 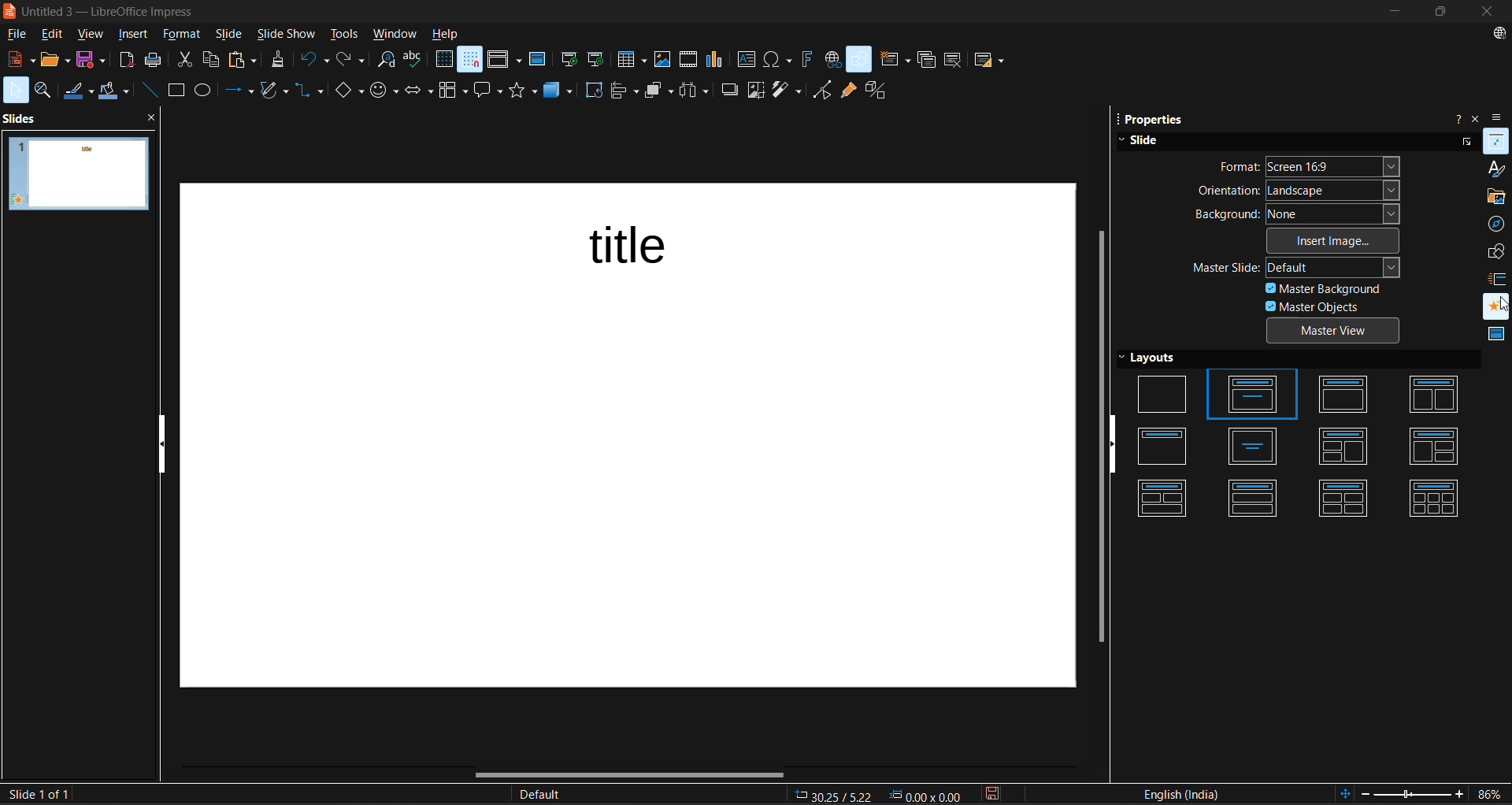 What do you see at coordinates (309, 91) in the screenshot?
I see `connectors` at bounding box center [309, 91].